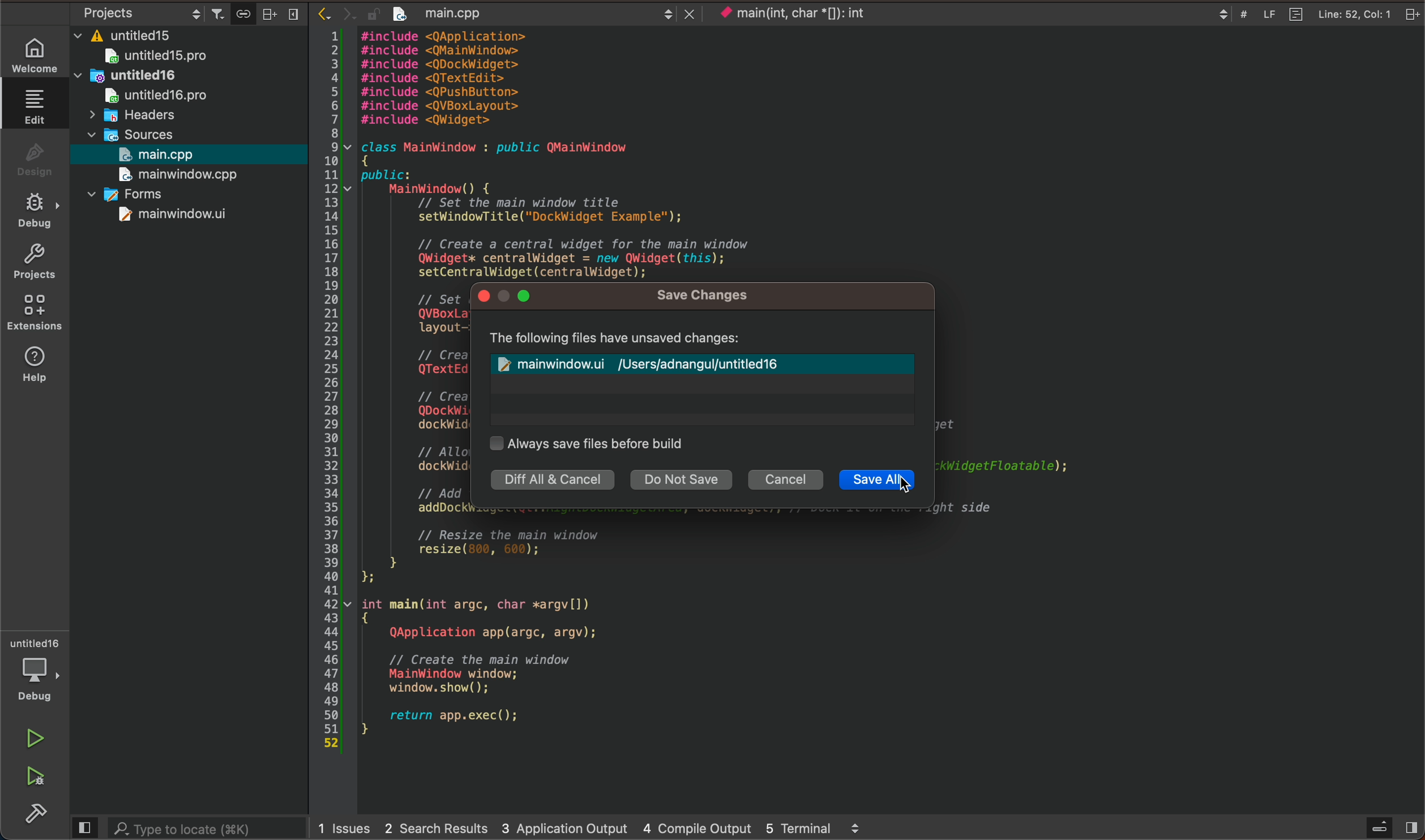  I want to click on debug, so click(37, 209).